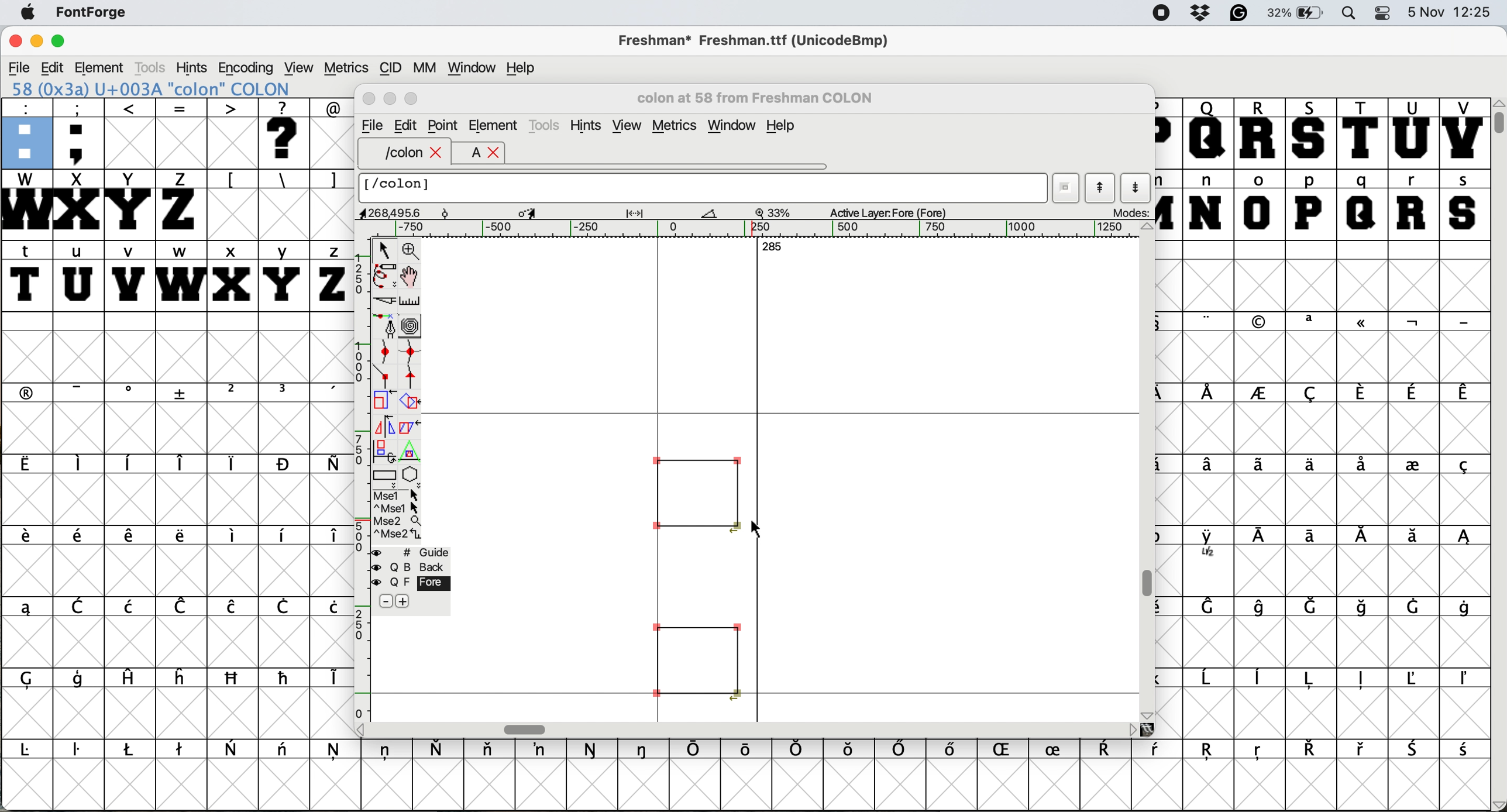 This screenshot has height=812, width=1507. I want to click on p, so click(1309, 204).